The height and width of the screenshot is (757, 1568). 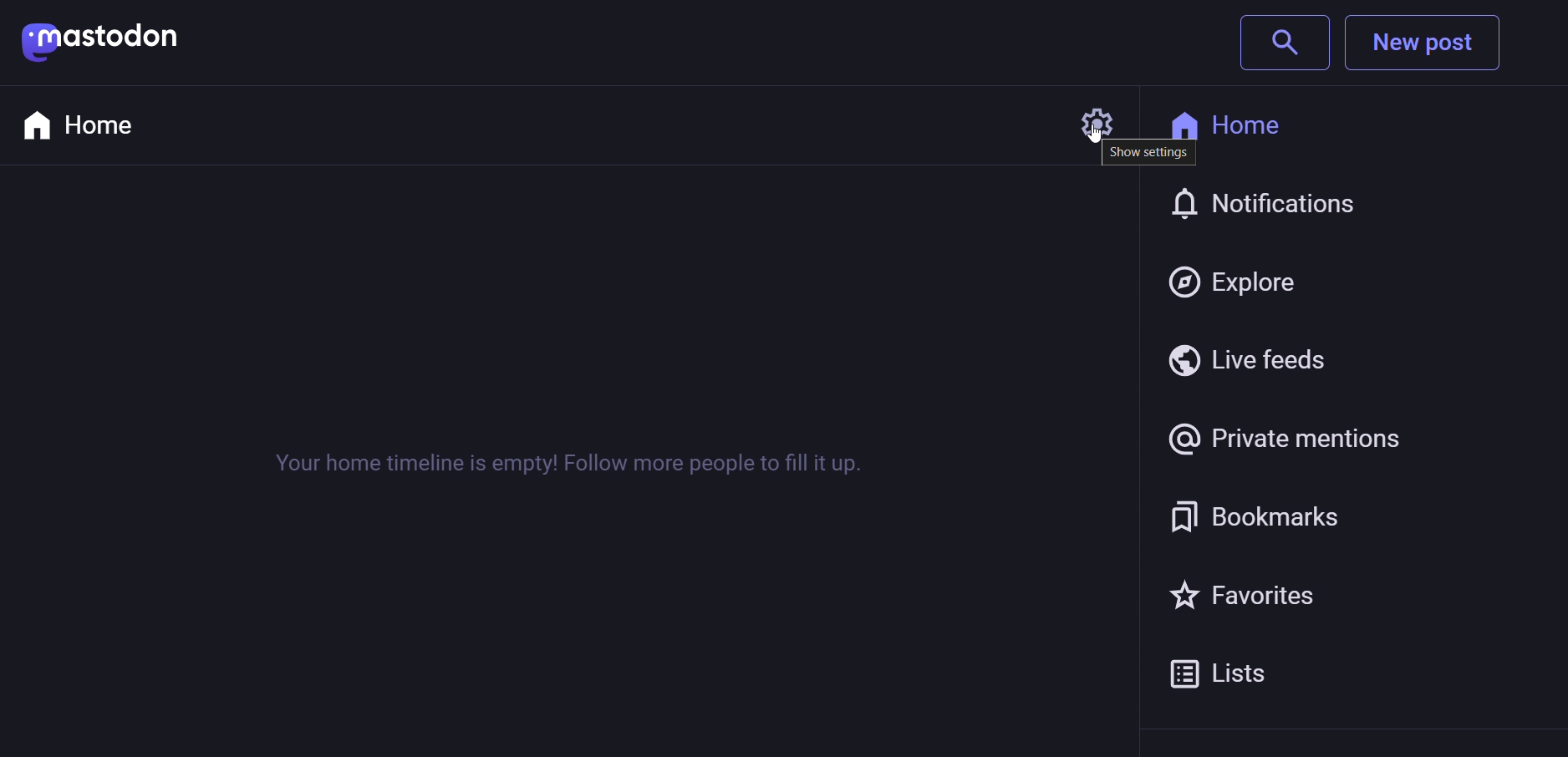 I want to click on home, so click(x=1246, y=124).